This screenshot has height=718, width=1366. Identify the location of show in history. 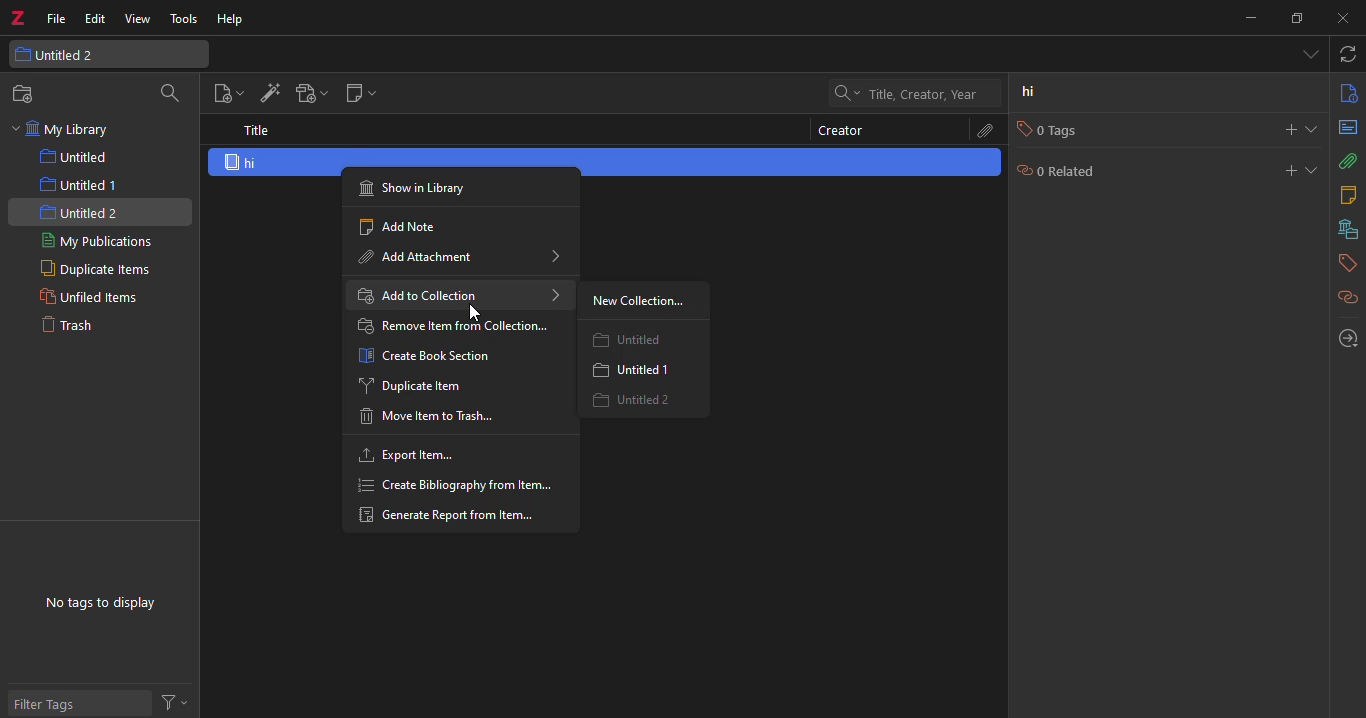
(419, 187).